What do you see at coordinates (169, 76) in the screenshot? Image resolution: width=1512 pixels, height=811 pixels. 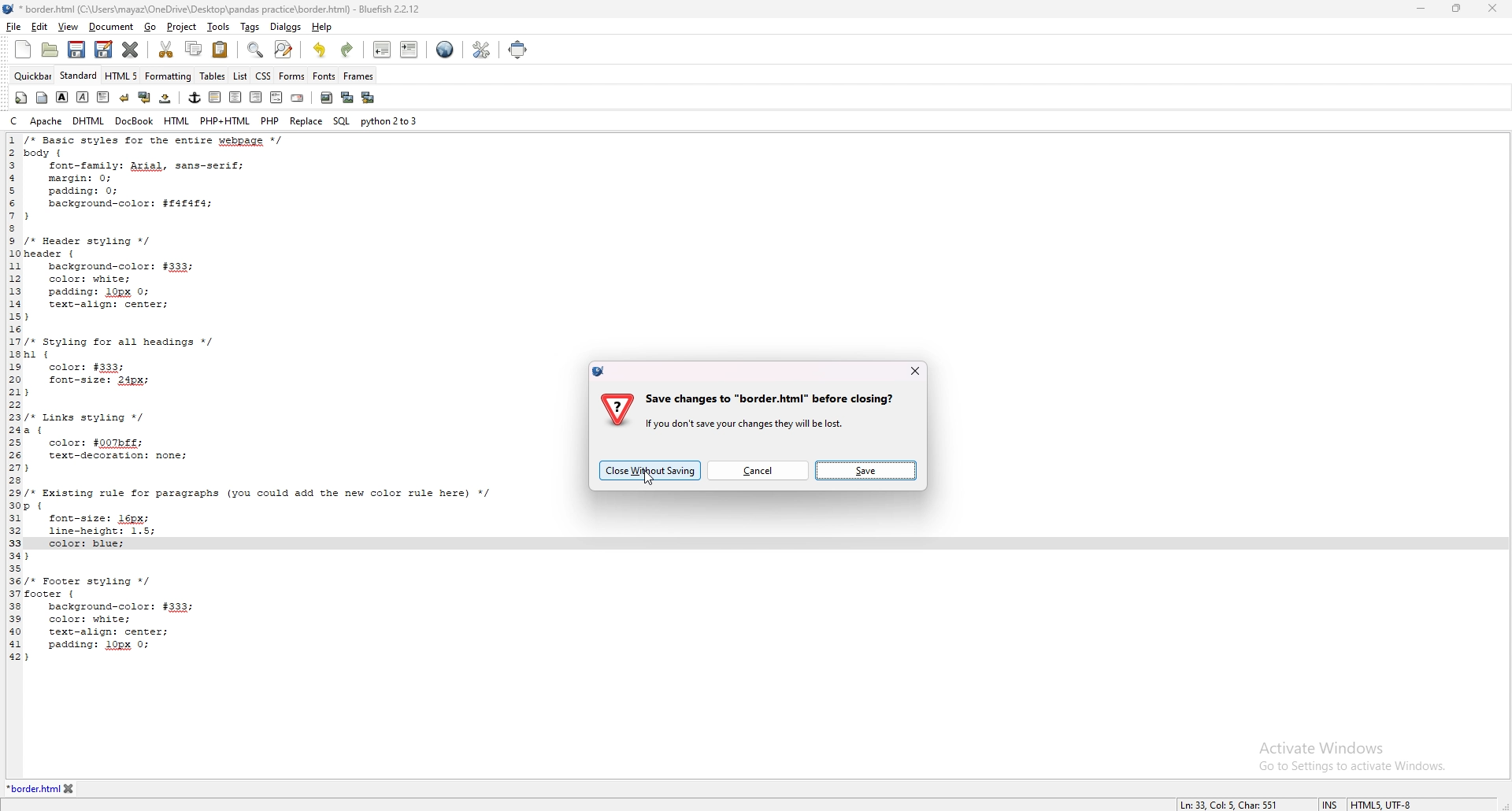 I see `formatting` at bounding box center [169, 76].